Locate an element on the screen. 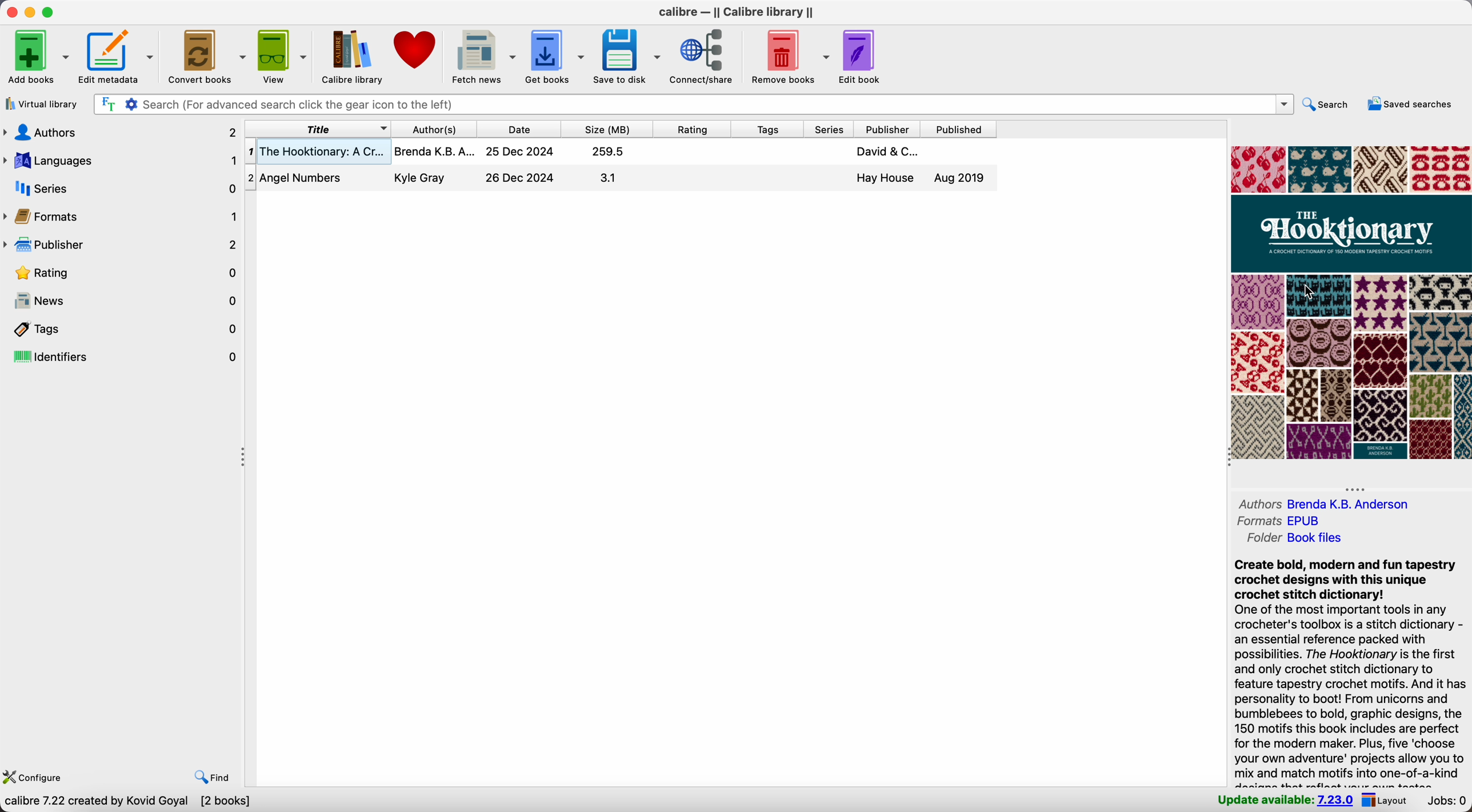 This screenshot has width=1472, height=812. rating is located at coordinates (130, 274).